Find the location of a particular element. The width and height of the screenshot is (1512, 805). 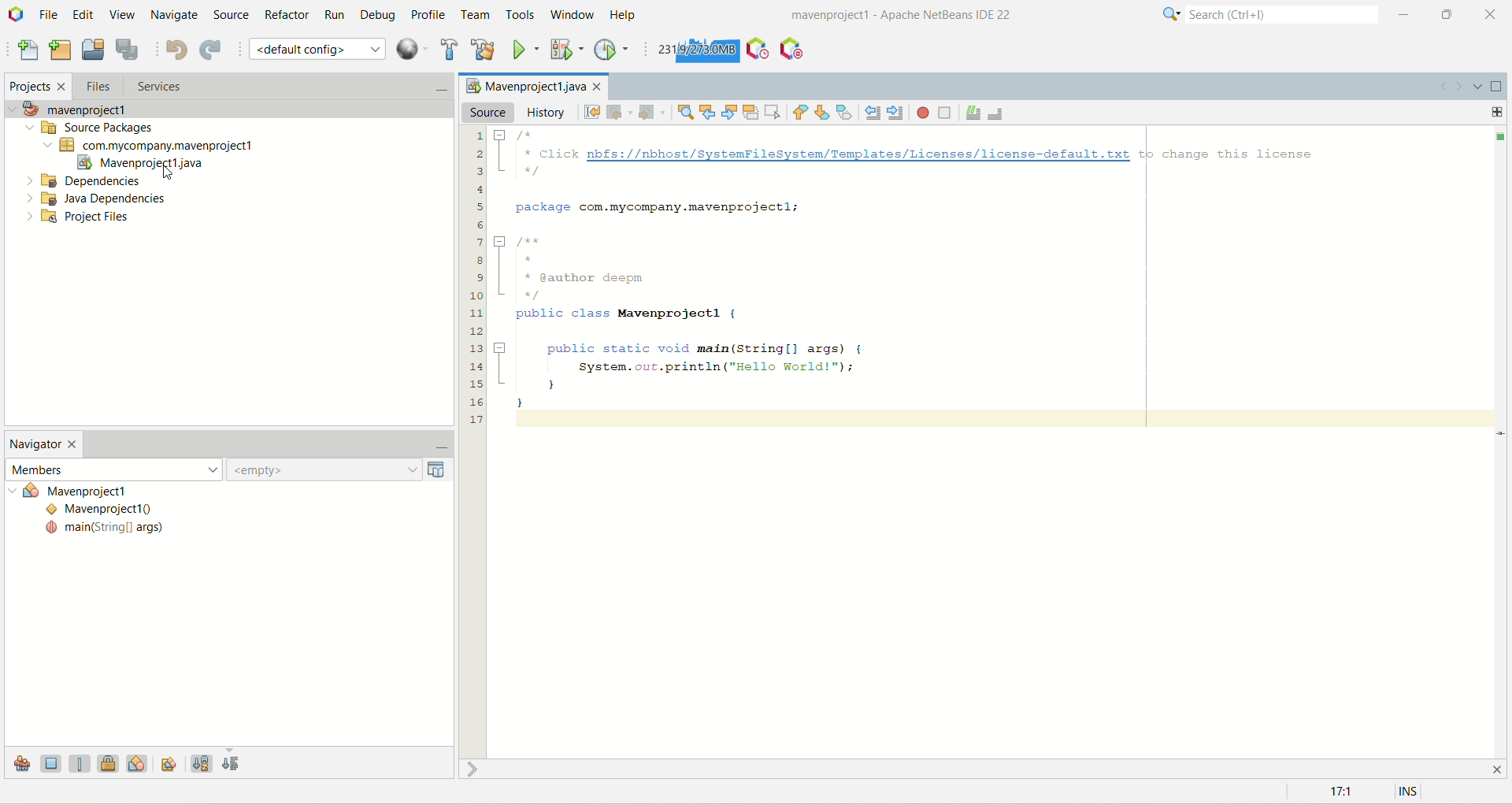

context menu is located at coordinates (412, 49).